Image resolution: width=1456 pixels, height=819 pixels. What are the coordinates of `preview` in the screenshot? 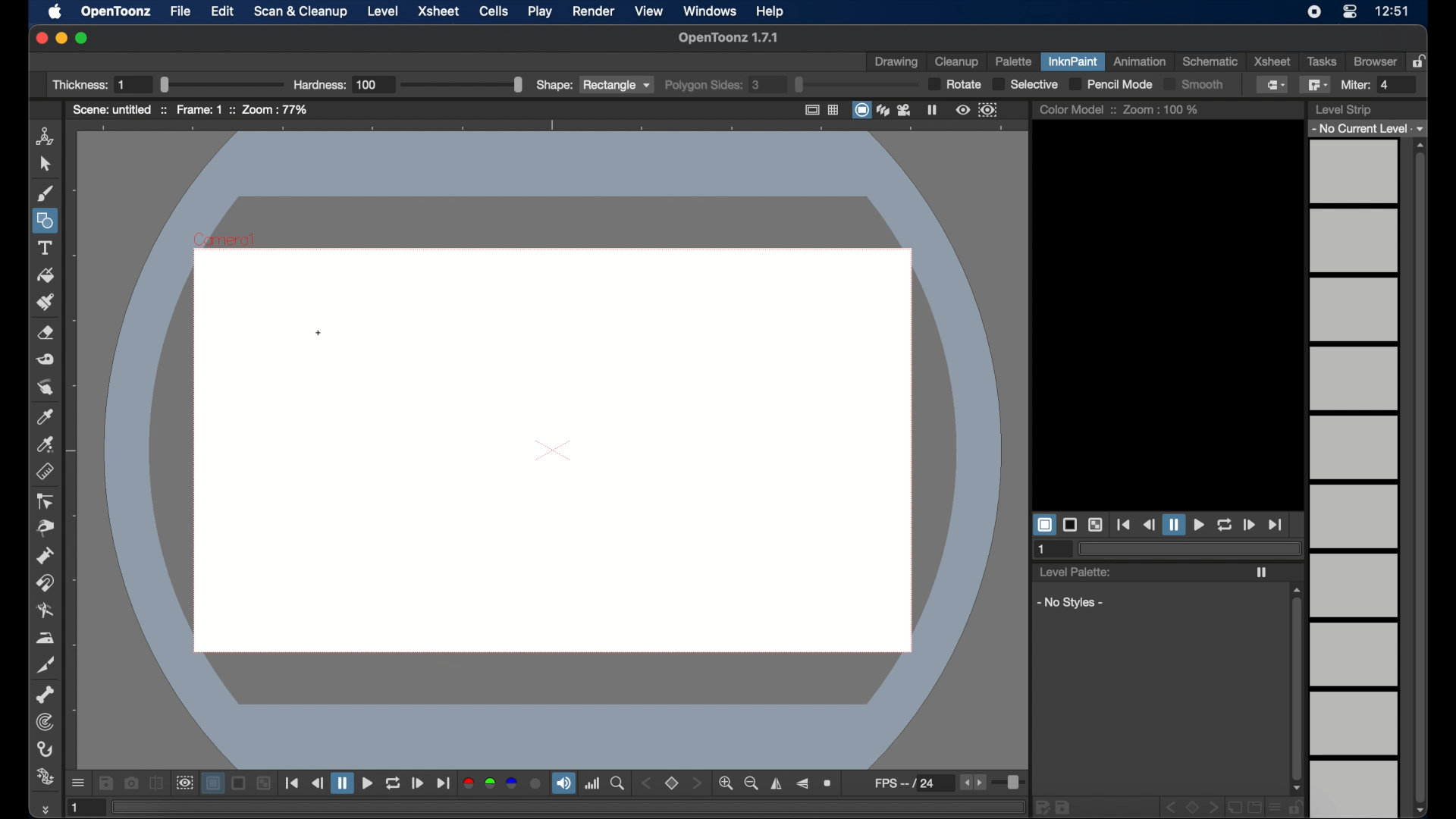 It's located at (963, 110).